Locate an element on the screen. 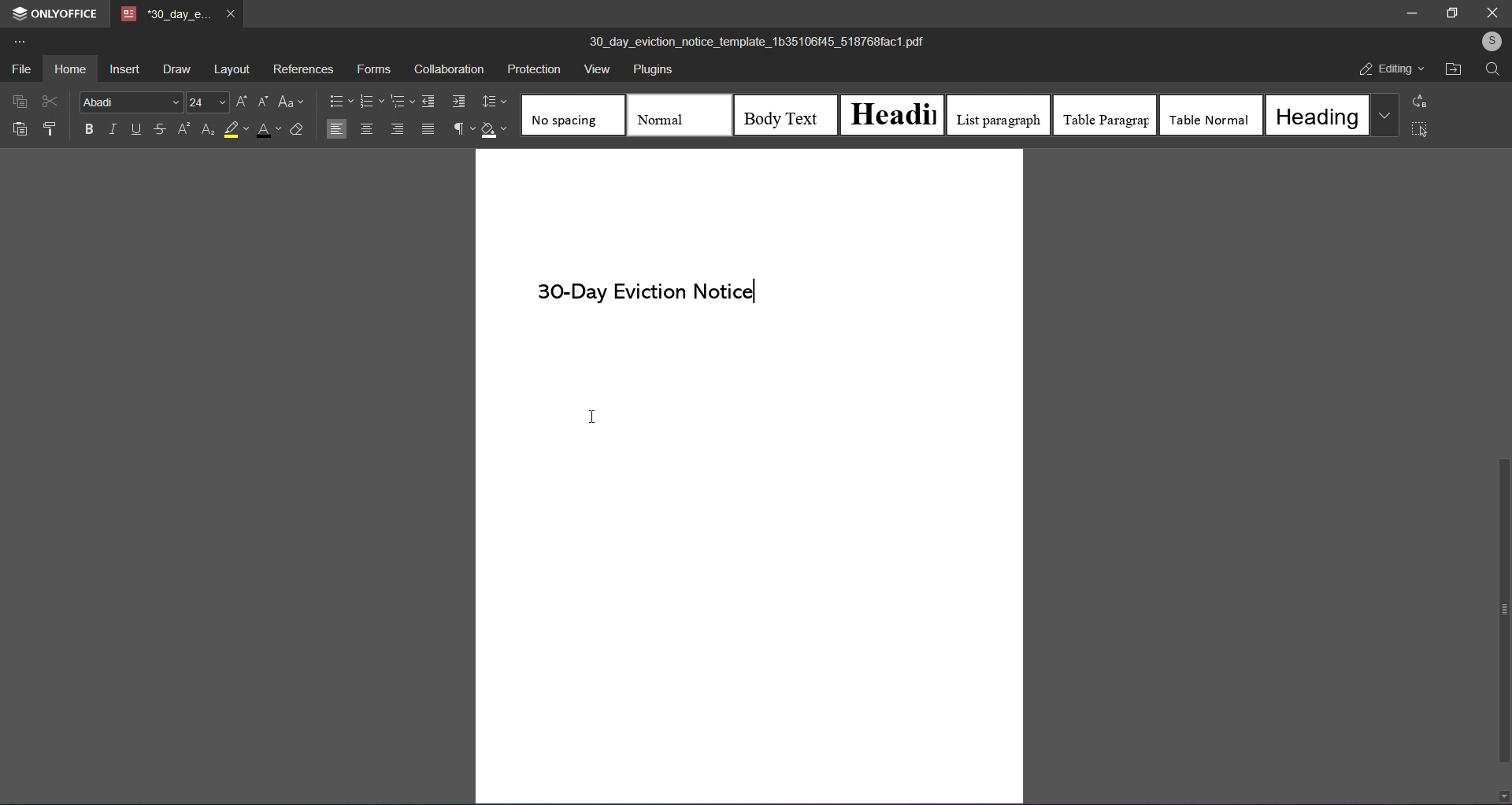 This screenshot has width=1512, height=805. close is located at coordinates (1493, 13).